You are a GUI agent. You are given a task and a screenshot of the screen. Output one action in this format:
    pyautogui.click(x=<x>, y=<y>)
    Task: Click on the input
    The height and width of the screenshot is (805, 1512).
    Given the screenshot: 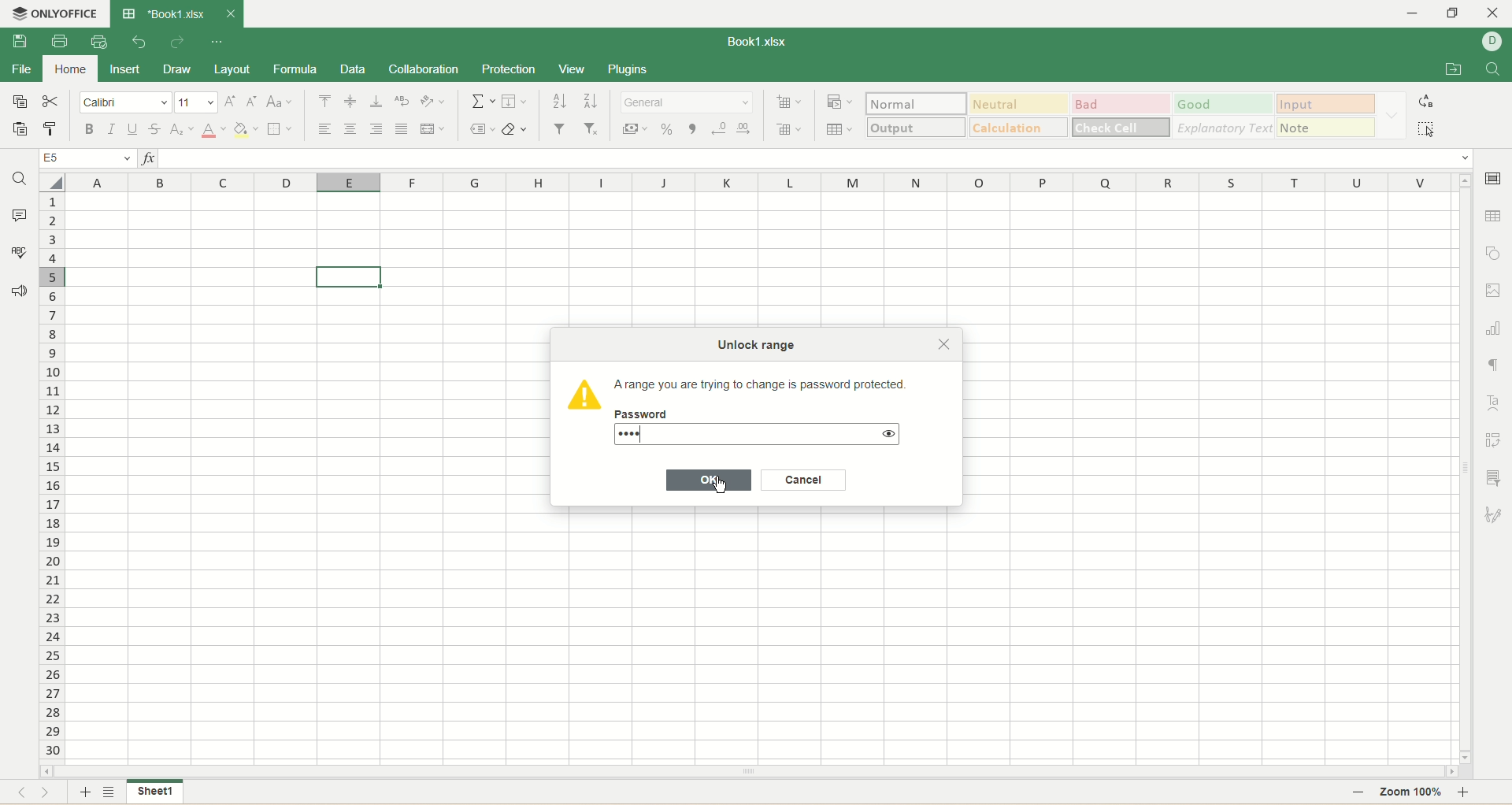 What is the action you would take?
    pyautogui.click(x=1325, y=103)
    